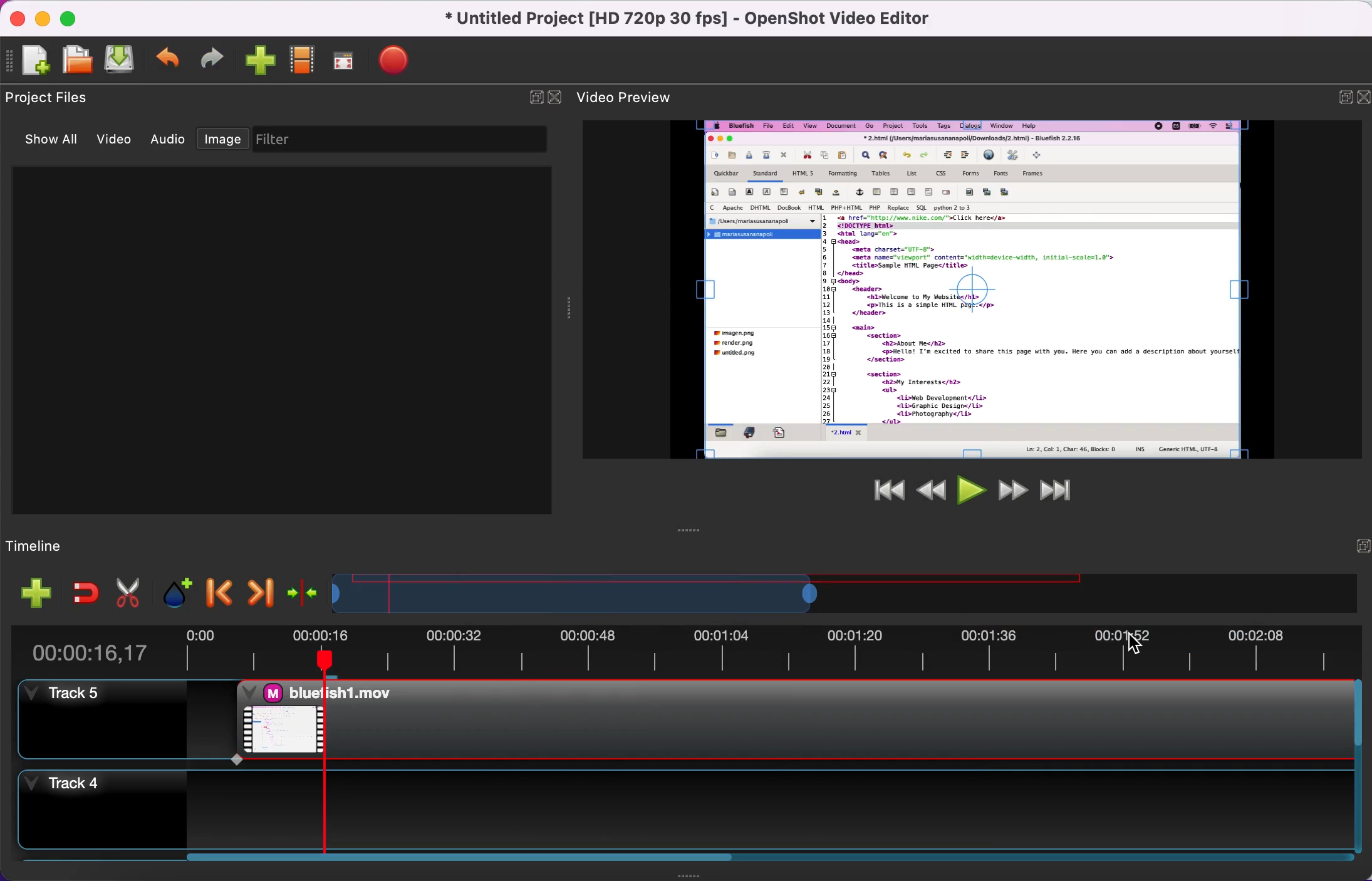 The width and height of the screenshot is (1372, 881). What do you see at coordinates (697, 647) in the screenshot?
I see `time duration` at bounding box center [697, 647].